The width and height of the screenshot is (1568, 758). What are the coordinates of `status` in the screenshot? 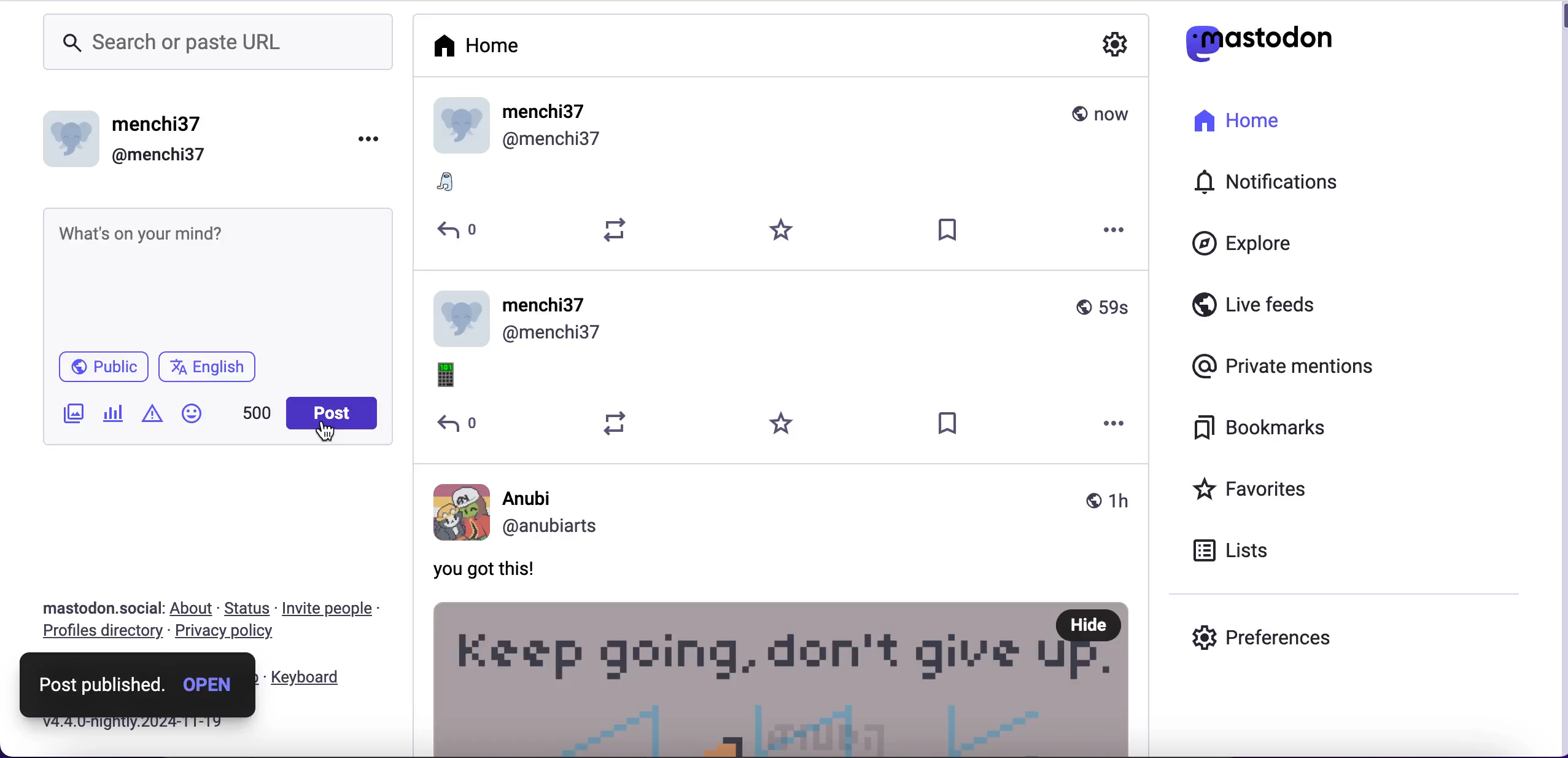 It's located at (247, 608).